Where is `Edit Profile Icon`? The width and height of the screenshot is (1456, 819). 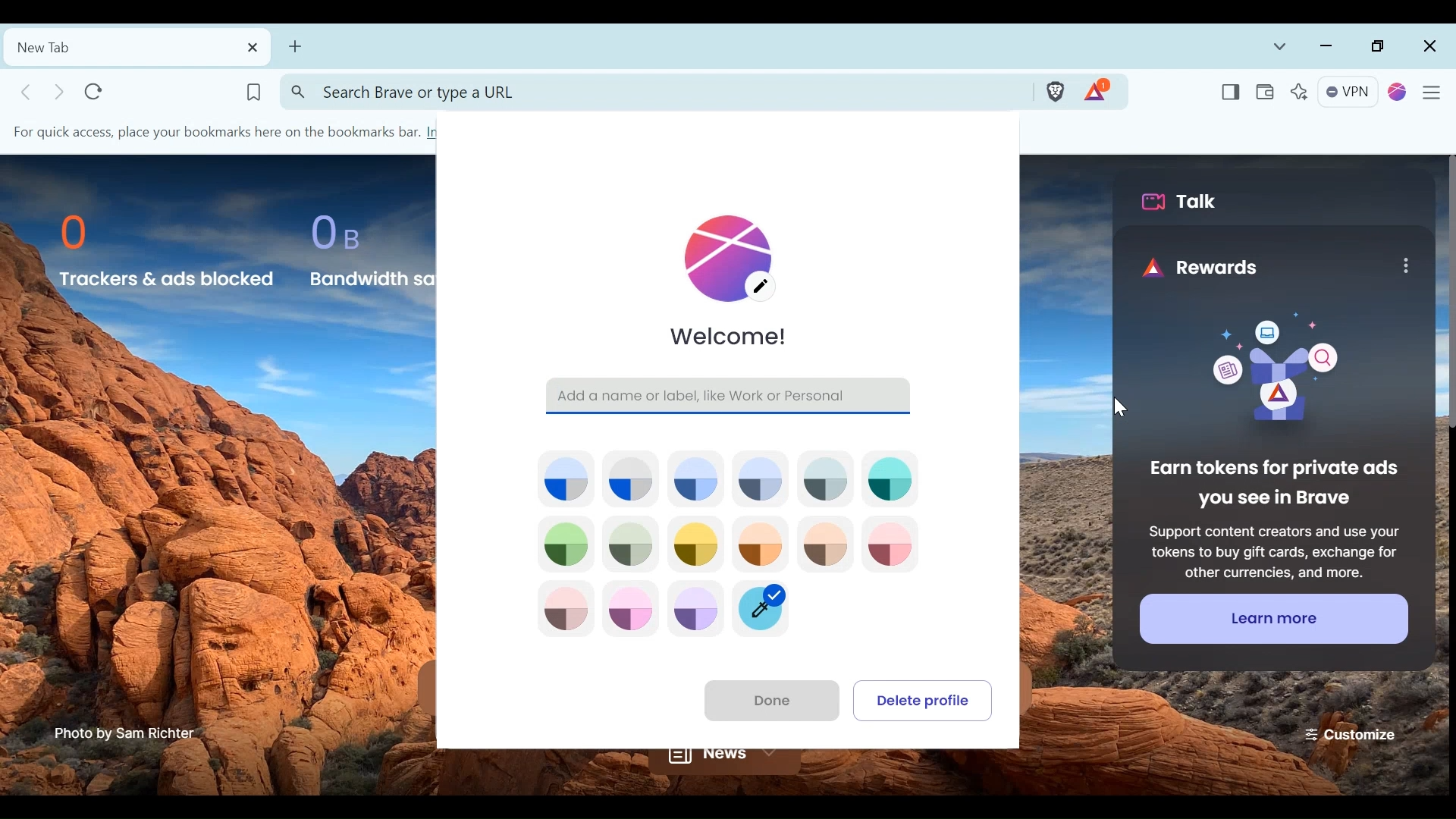 Edit Profile Icon is located at coordinates (735, 254).